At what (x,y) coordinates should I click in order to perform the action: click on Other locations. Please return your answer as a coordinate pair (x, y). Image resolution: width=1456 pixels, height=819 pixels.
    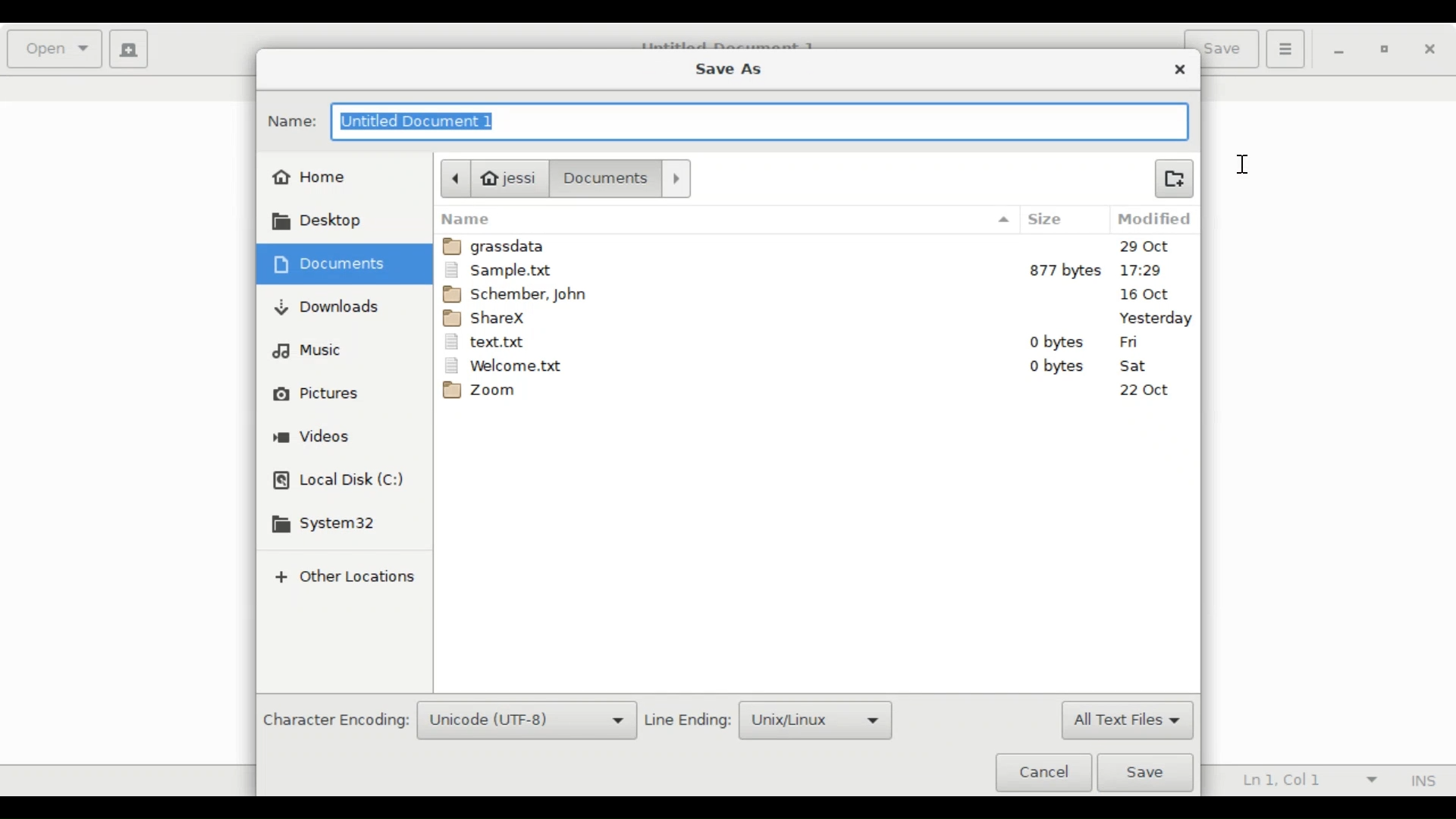
    Looking at the image, I should click on (343, 579).